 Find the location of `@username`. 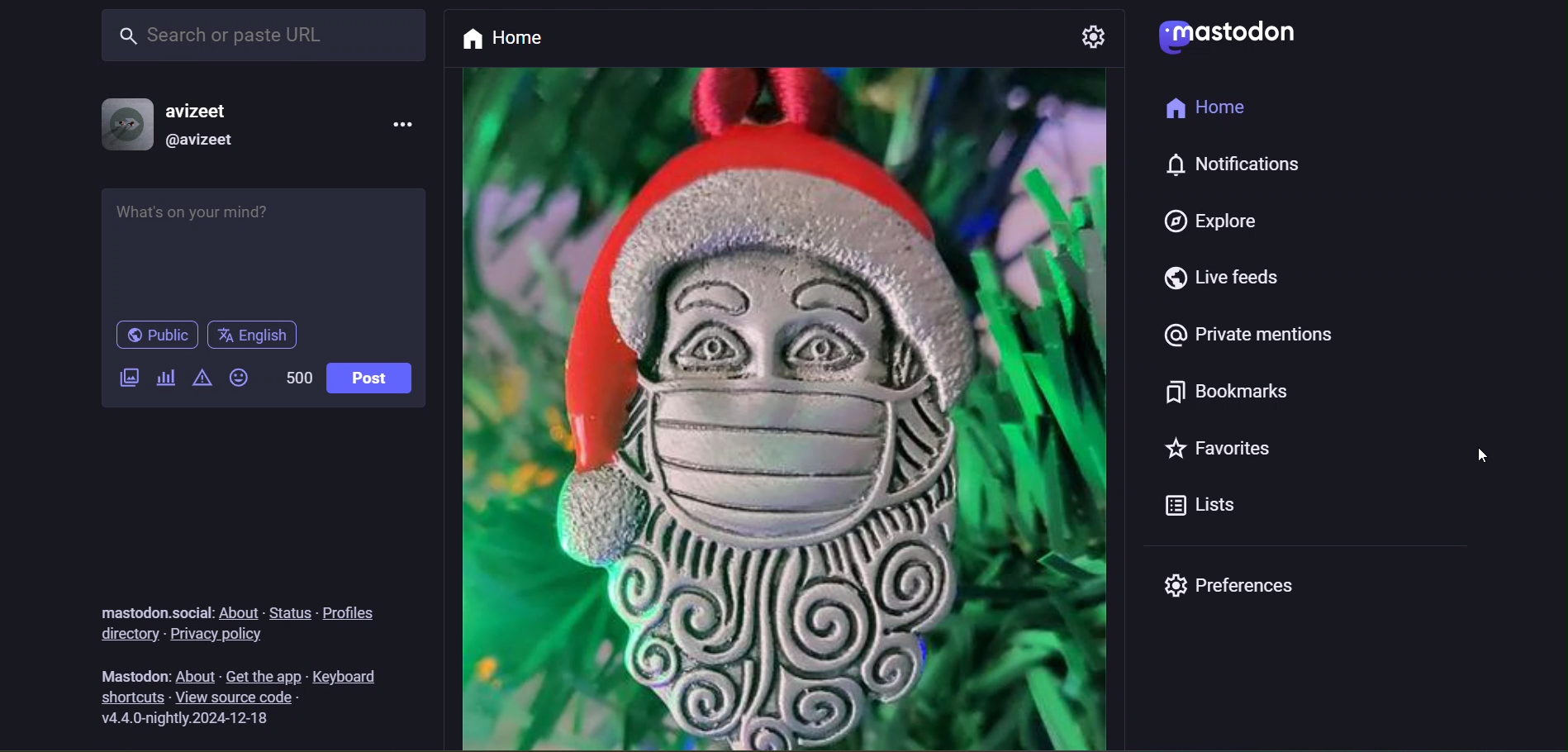

@username is located at coordinates (205, 143).